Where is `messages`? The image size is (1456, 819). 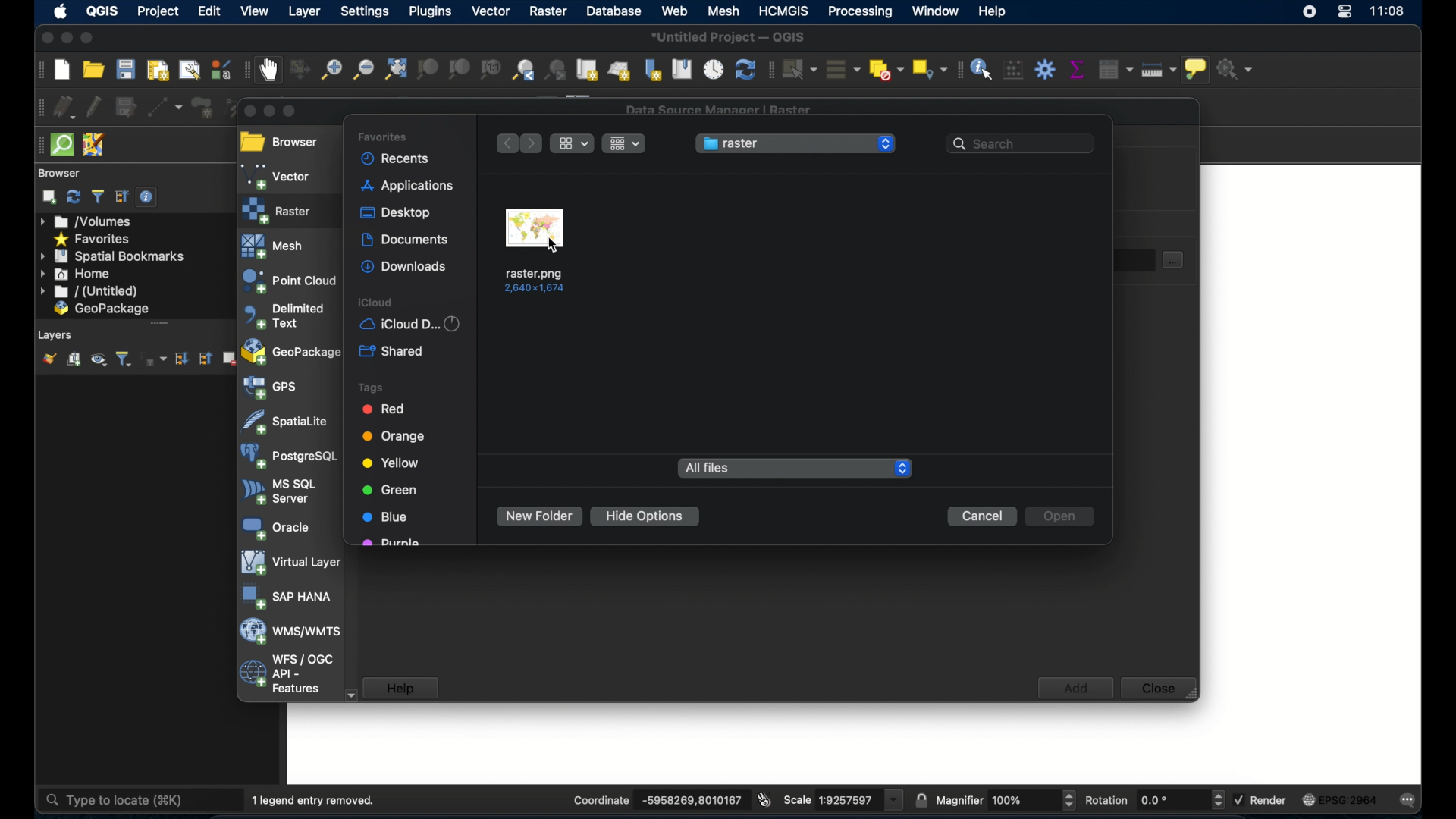
messages is located at coordinates (1412, 799).